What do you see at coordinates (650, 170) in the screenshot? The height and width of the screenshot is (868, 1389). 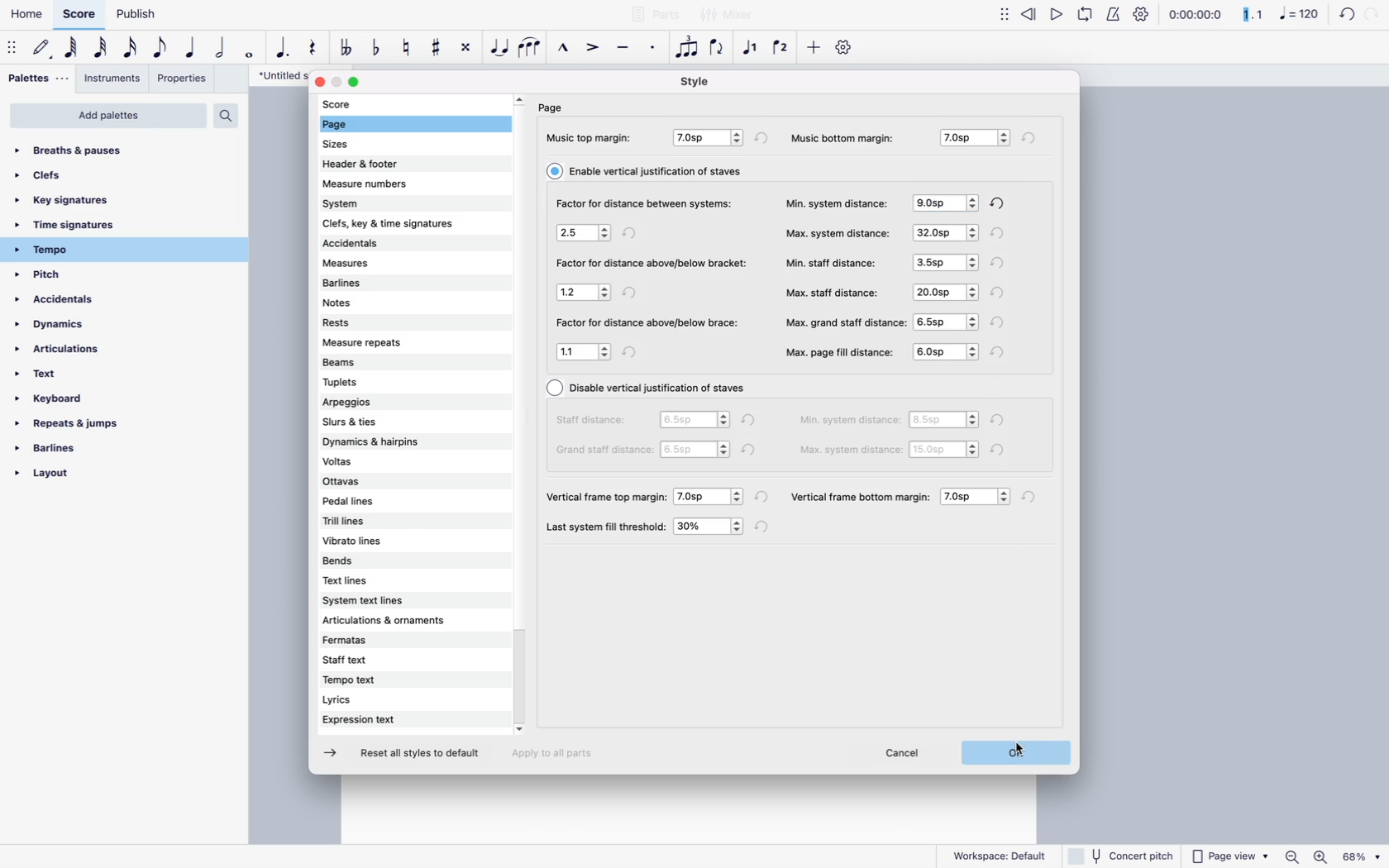 I see `enable vertical justification of staves` at bounding box center [650, 170].